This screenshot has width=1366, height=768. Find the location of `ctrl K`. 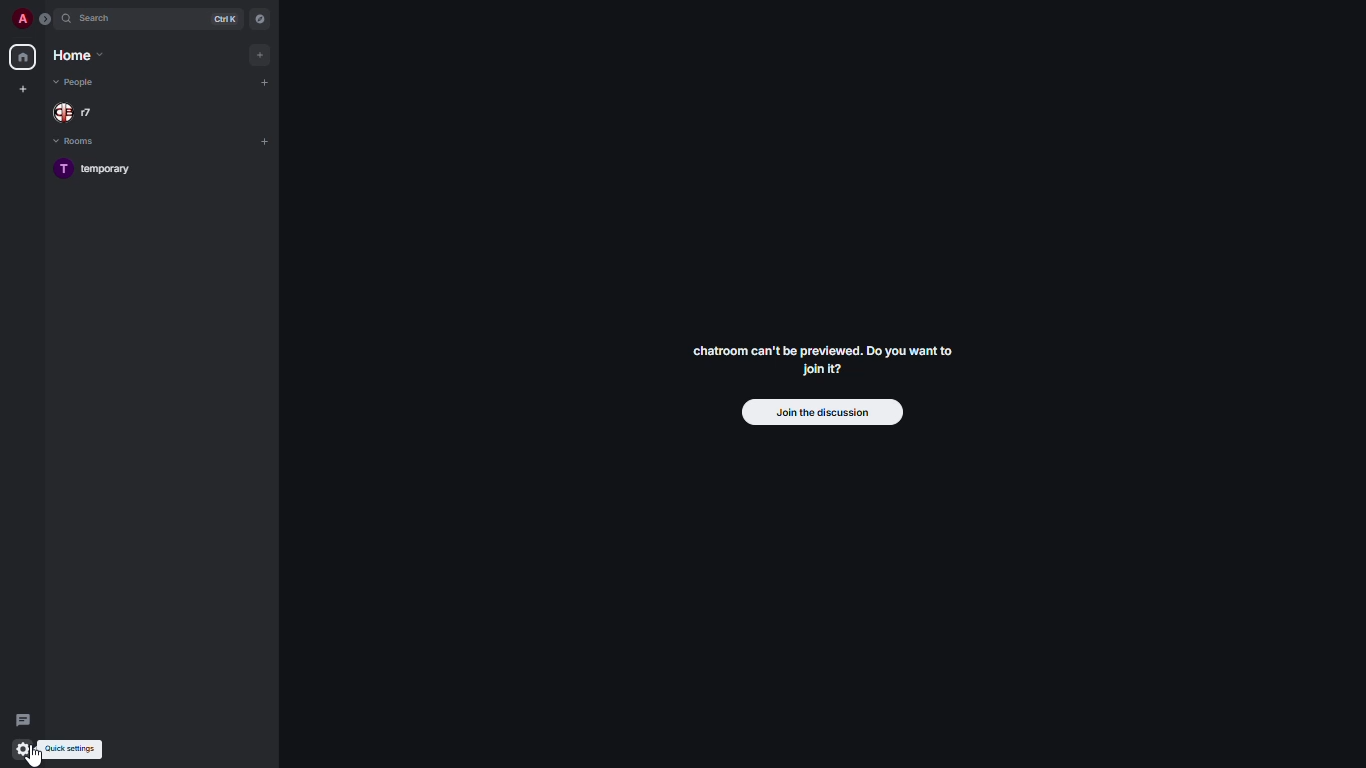

ctrl K is located at coordinates (226, 18).